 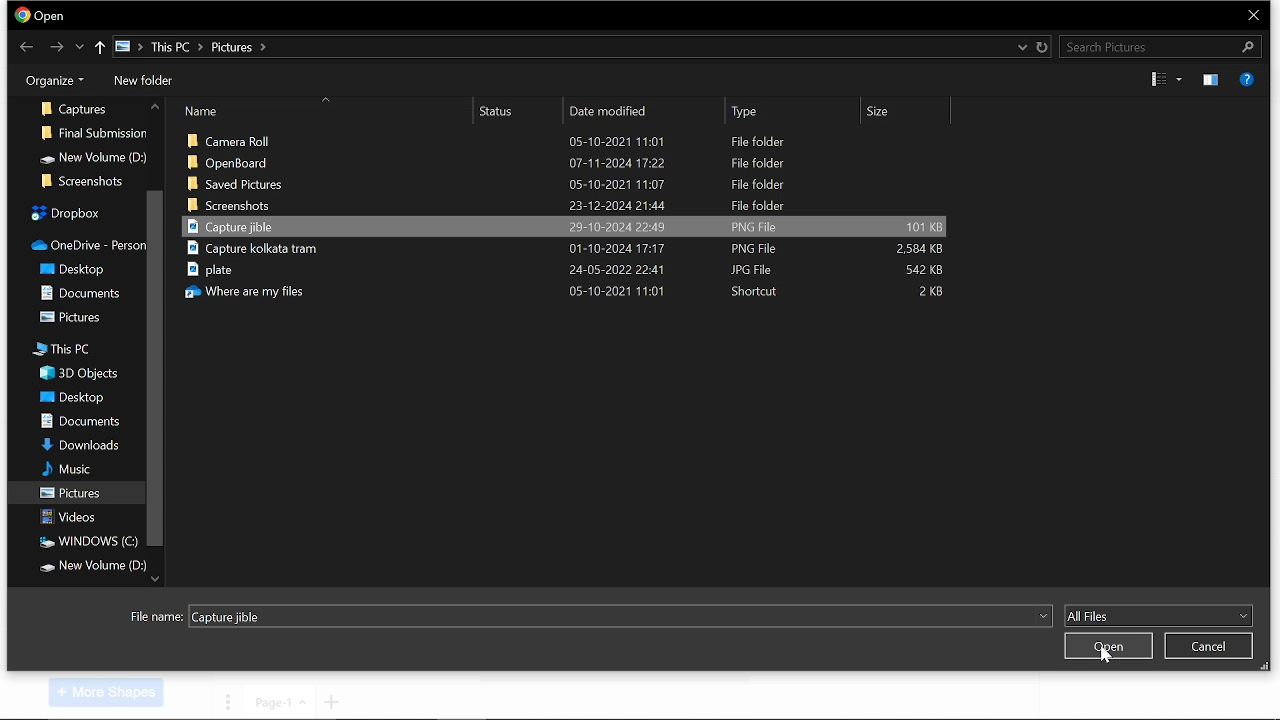 What do you see at coordinates (85, 371) in the screenshot?
I see `folders` at bounding box center [85, 371].